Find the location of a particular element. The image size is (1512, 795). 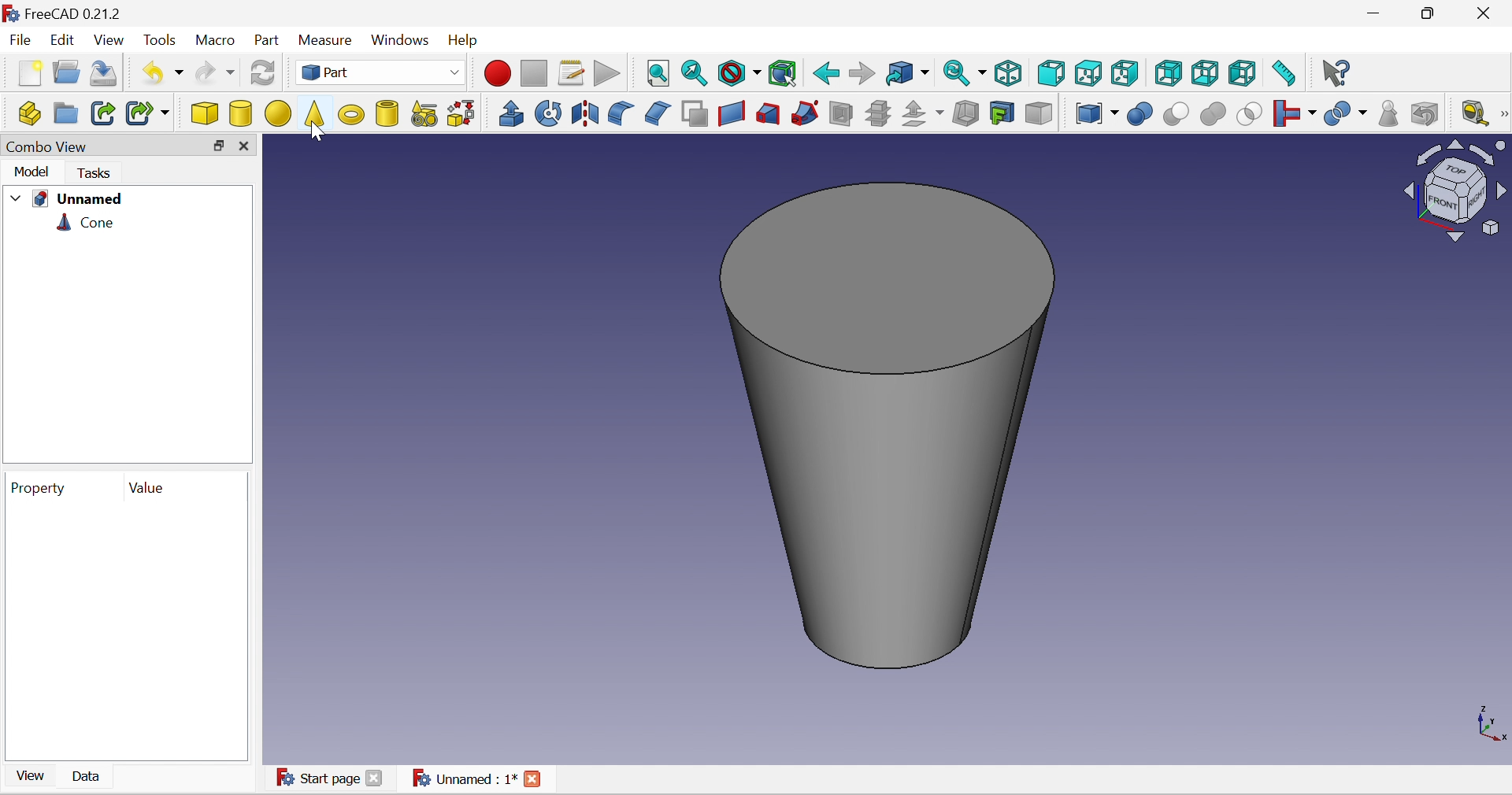

Mirroring is located at coordinates (586, 114).